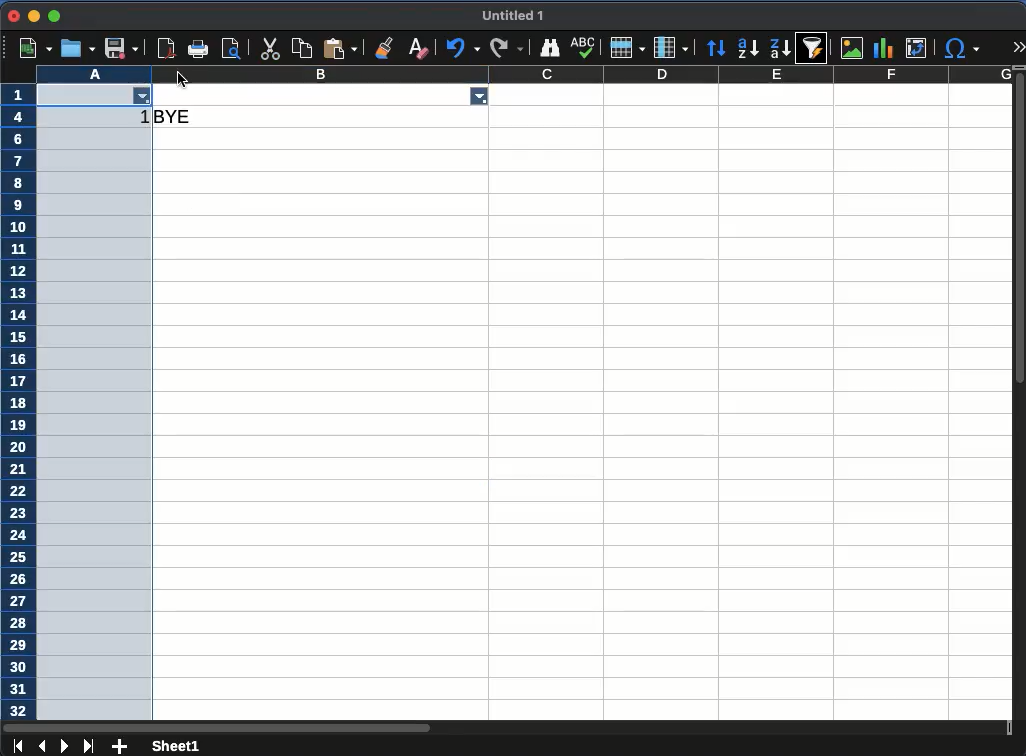 The height and width of the screenshot is (756, 1026). What do you see at coordinates (417, 49) in the screenshot?
I see `clear formatting` at bounding box center [417, 49].